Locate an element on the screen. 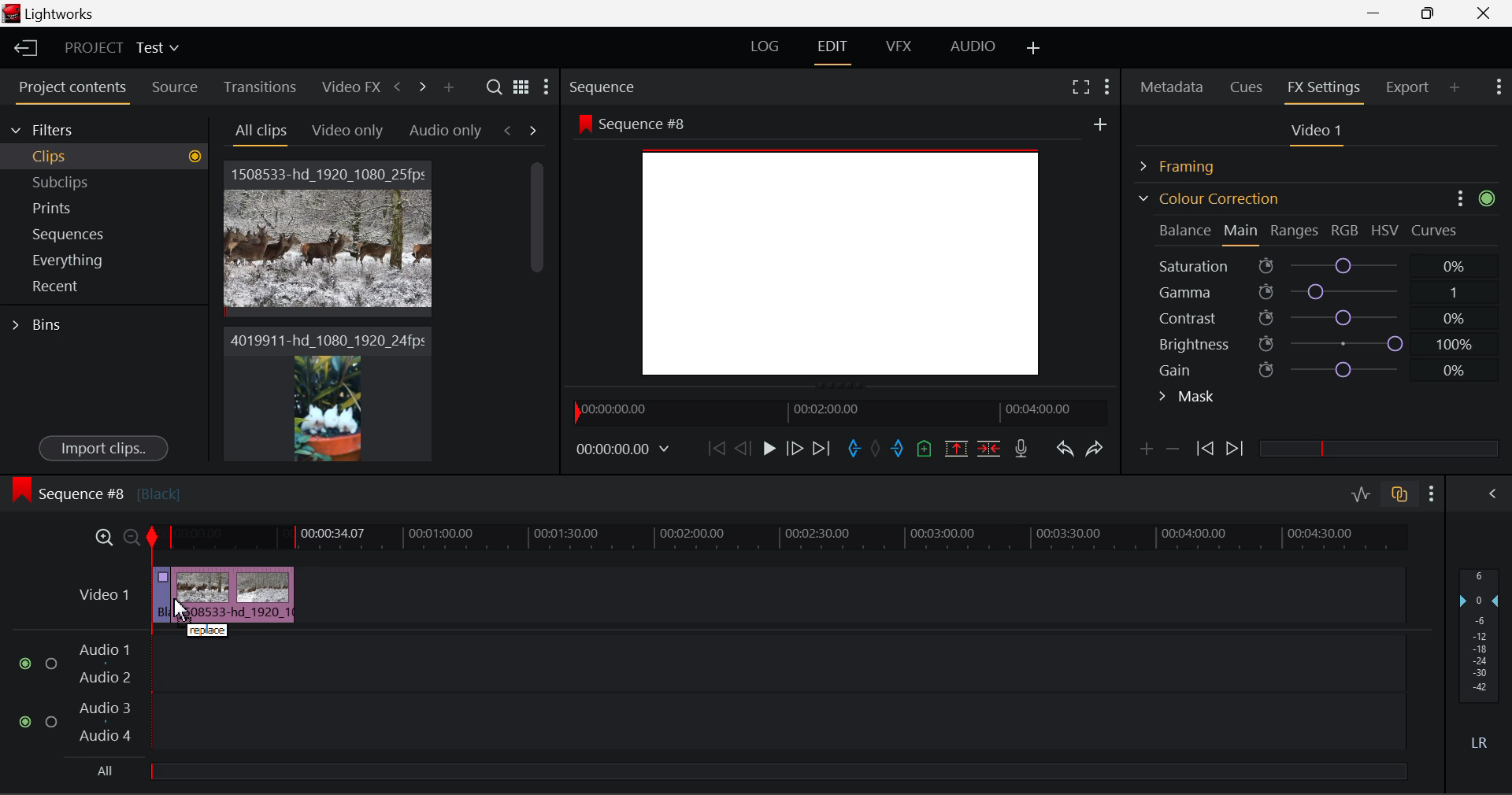 The image size is (1512, 795). Gamma is located at coordinates (1320, 292).